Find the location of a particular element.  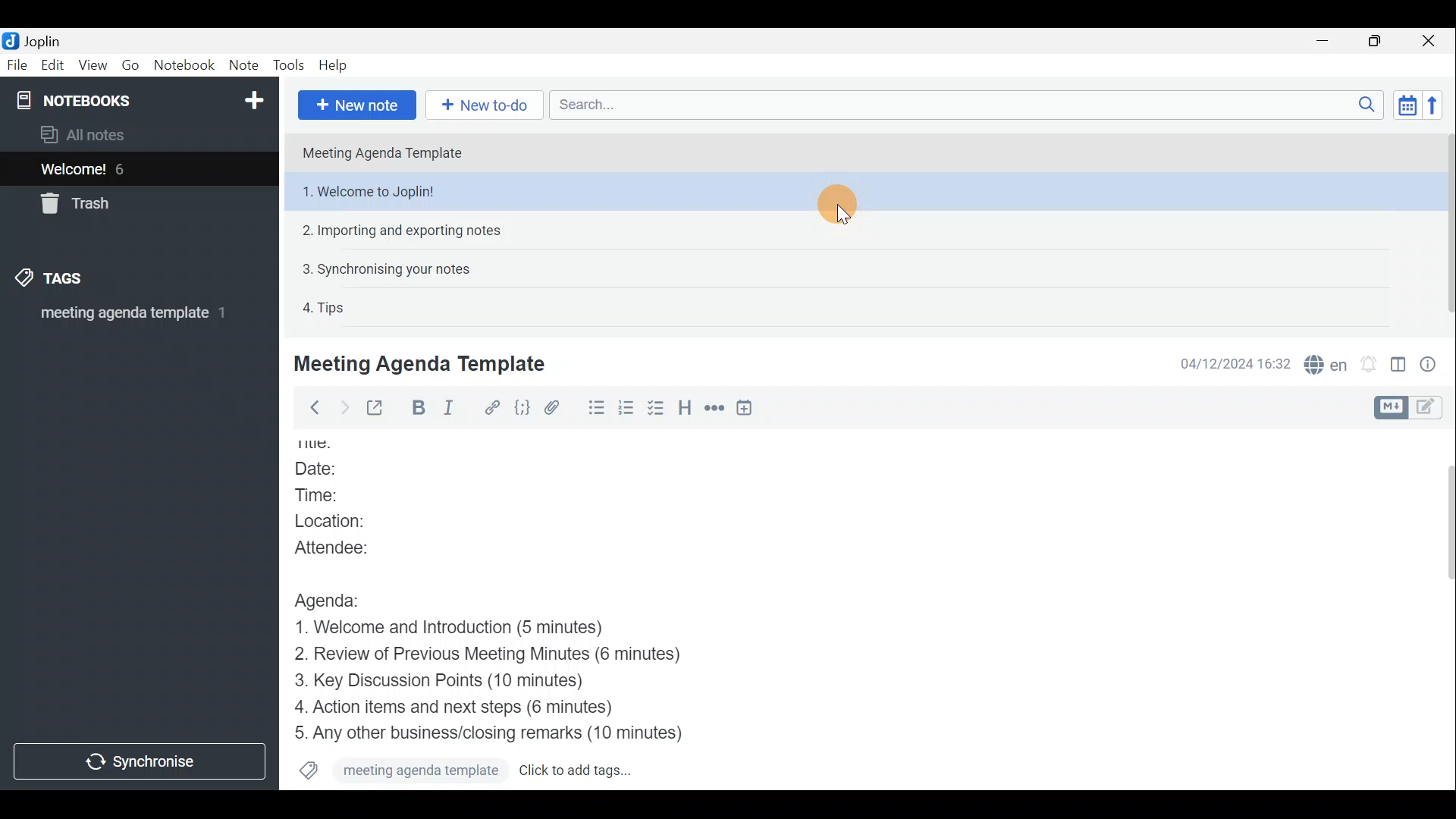

New to-do is located at coordinates (484, 104).